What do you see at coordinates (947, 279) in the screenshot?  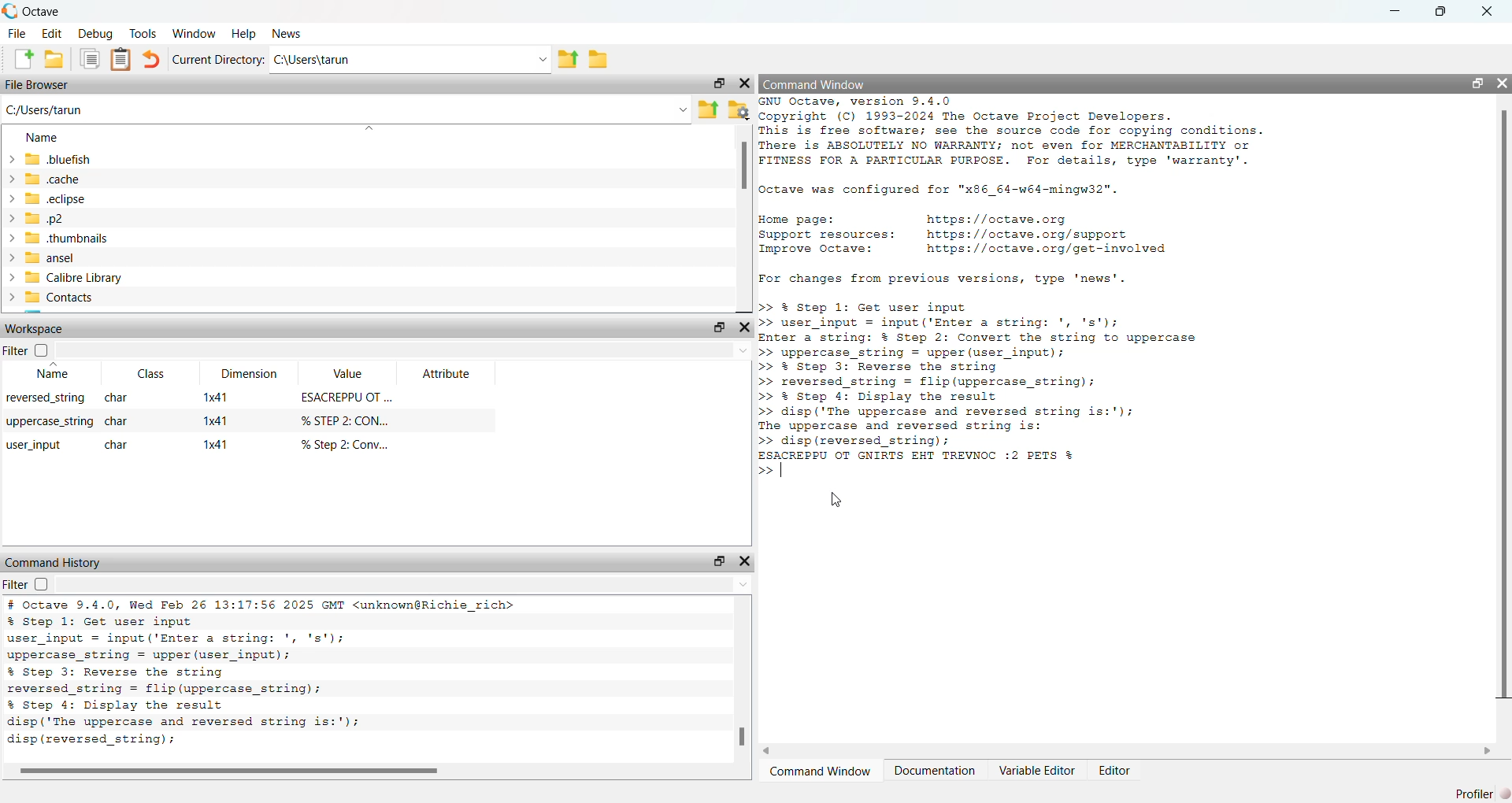 I see `For changes from previous versions, type 'news'.` at bounding box center [947, 279].